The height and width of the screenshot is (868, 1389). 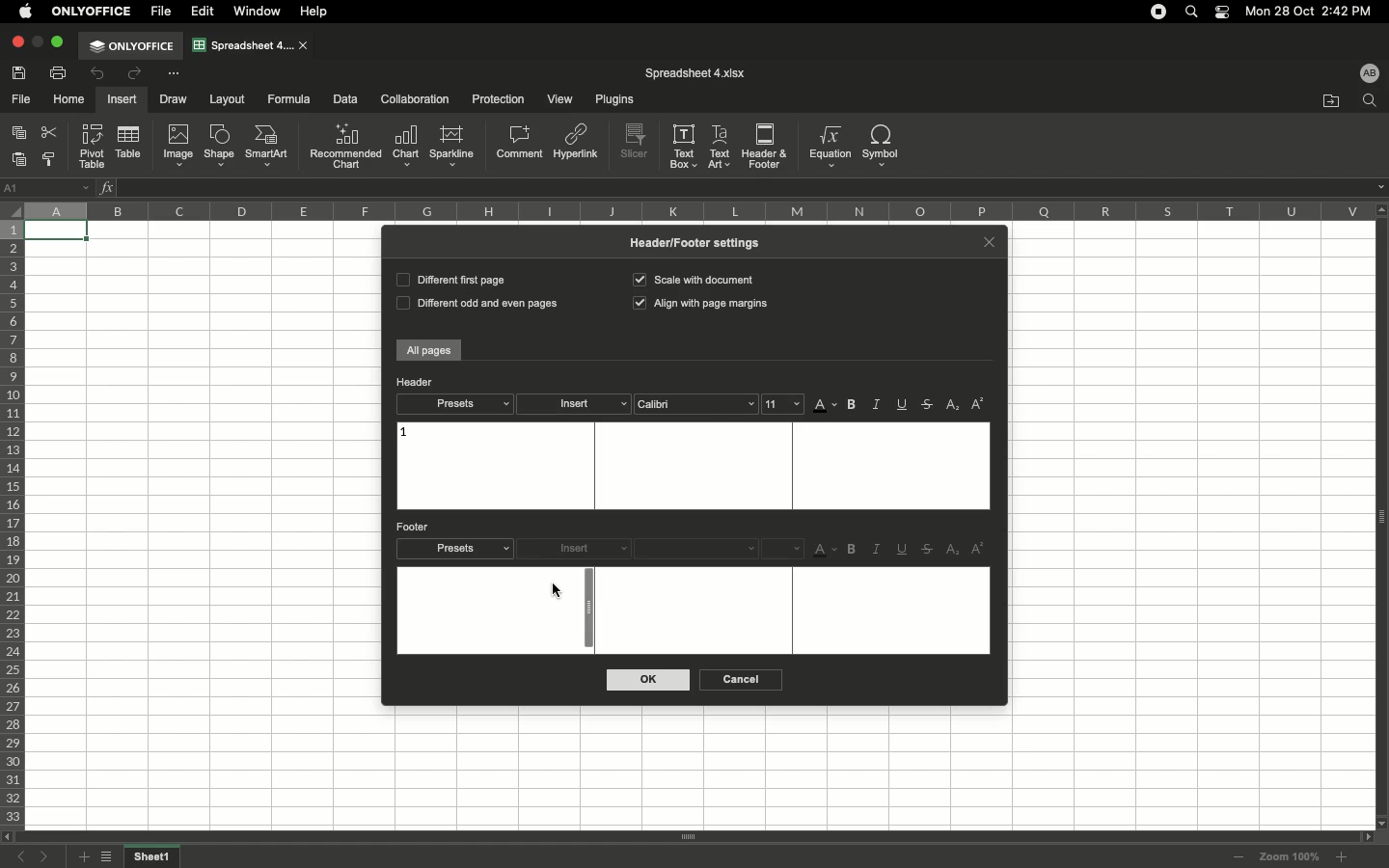 I want to click on Comment, so click(x=521, y=144).